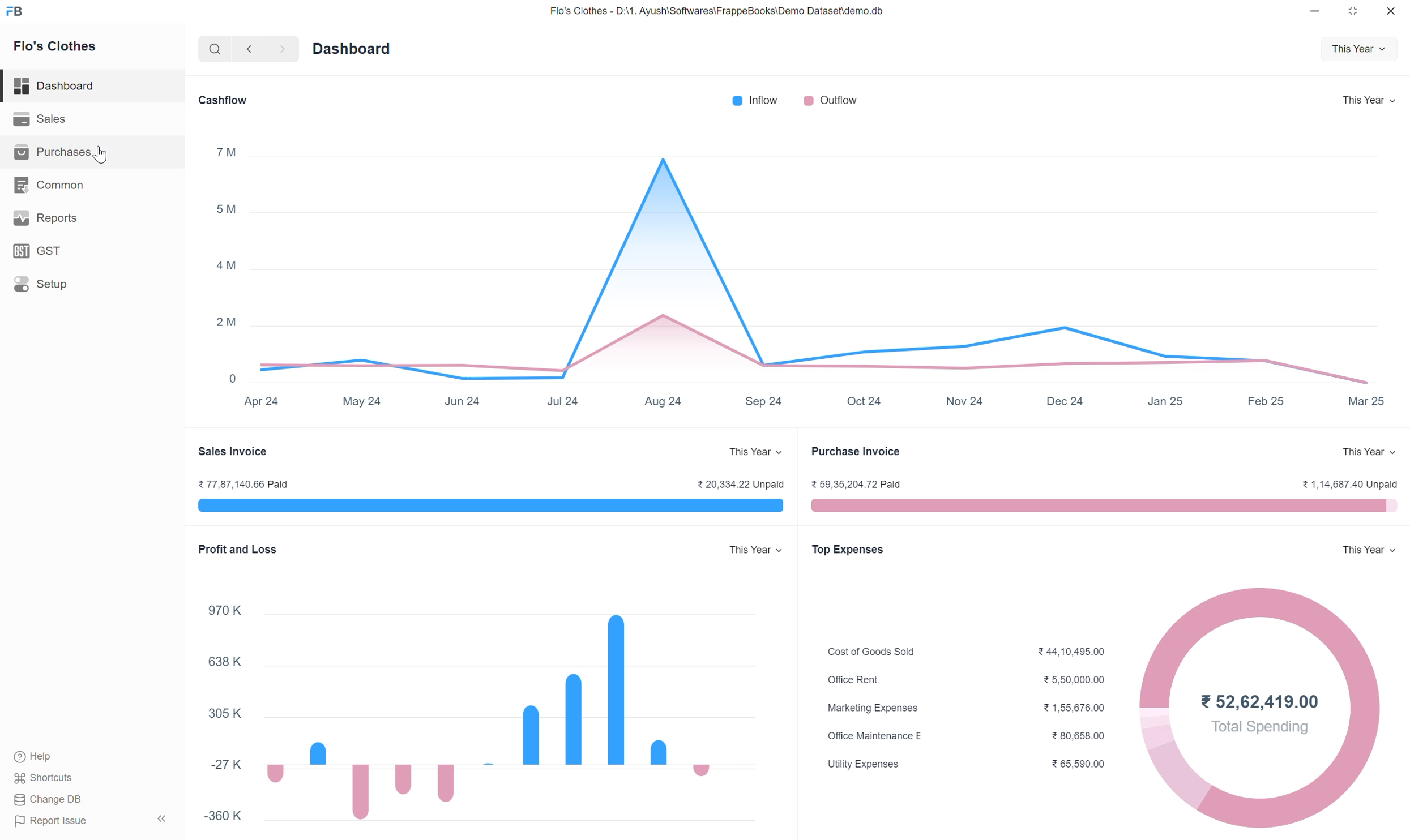  Describe the element at coordinates (51, 821) in the screenshot. I see `report issue` at that location.